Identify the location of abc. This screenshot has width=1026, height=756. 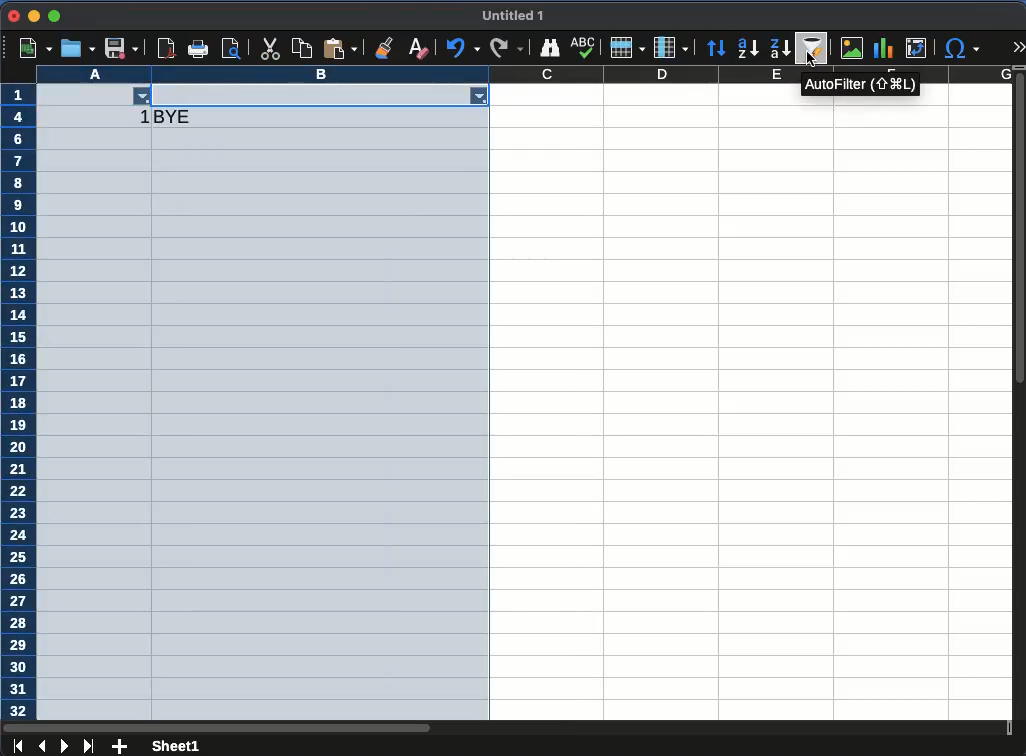
(580, 47).